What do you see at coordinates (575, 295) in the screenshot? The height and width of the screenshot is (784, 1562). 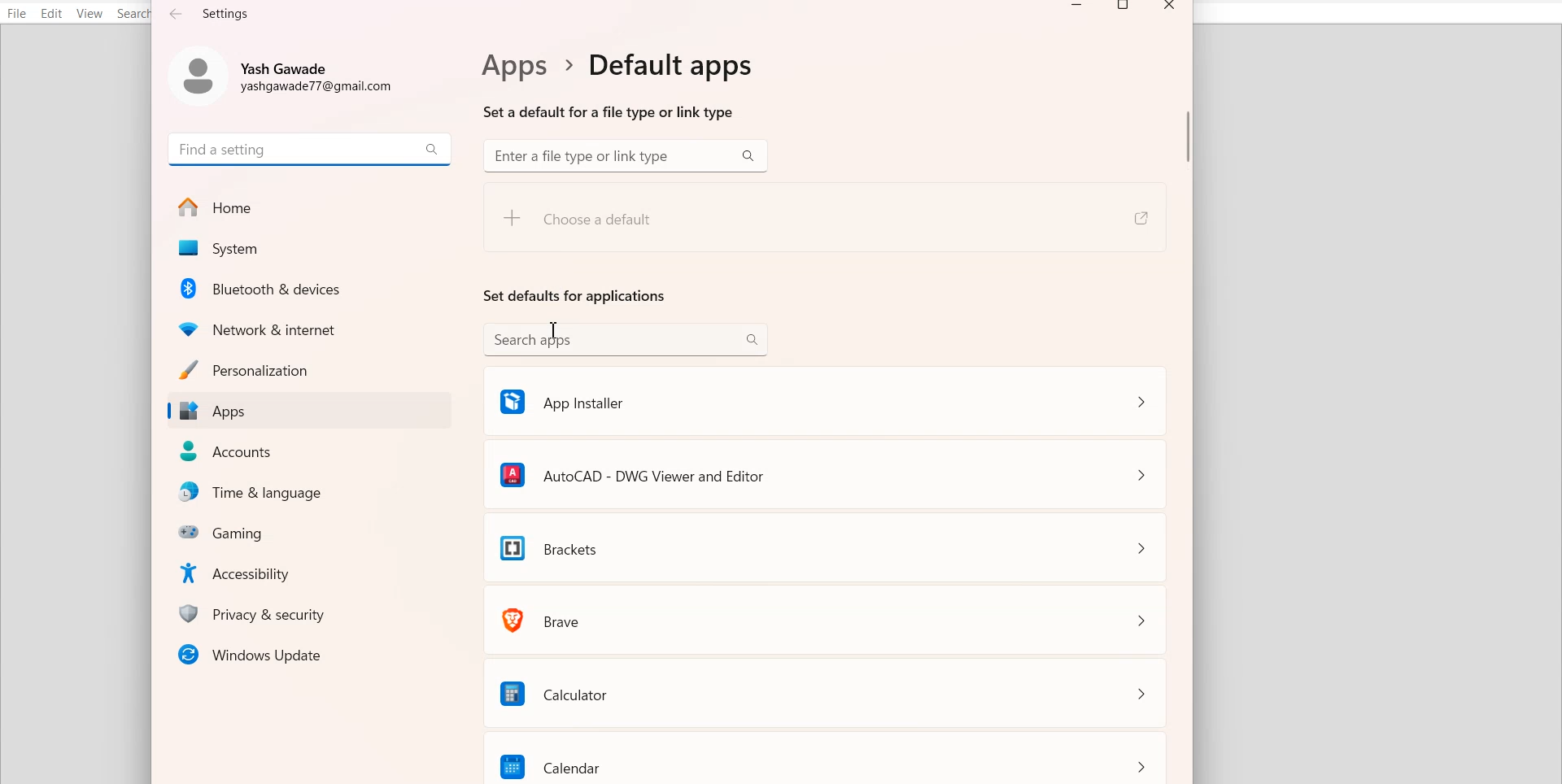 I see `Text` at bounding box center [575, 295].